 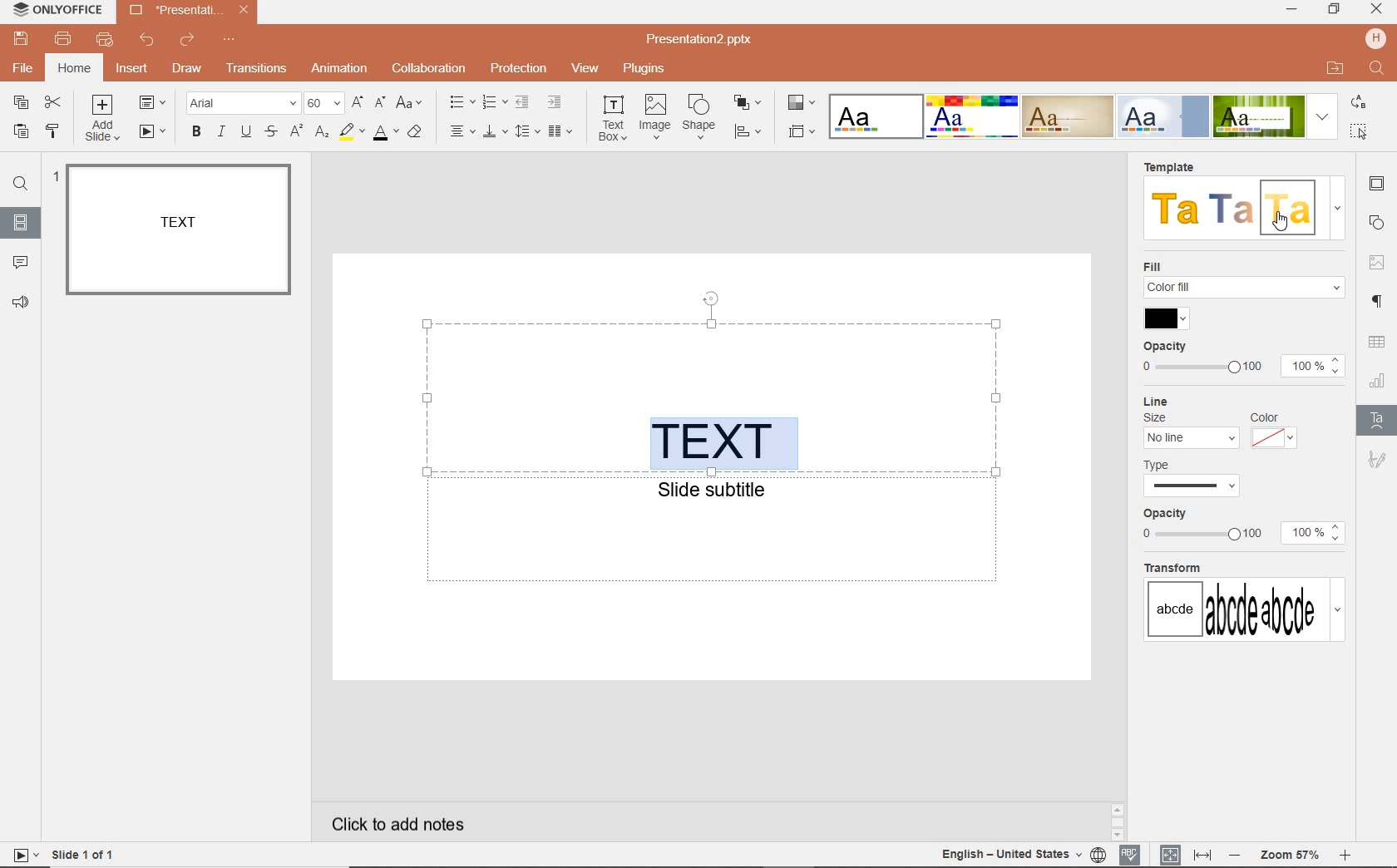 I want to click on REDO, so click(x=185, y=41).